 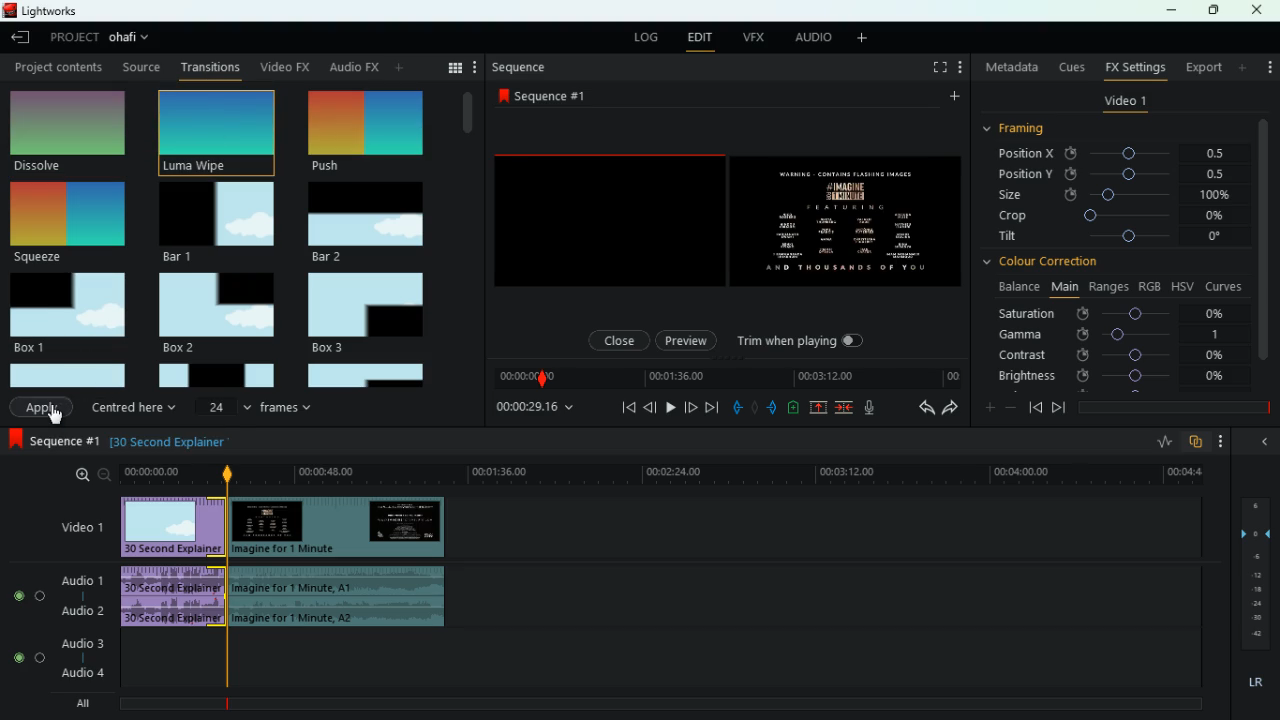 I want to click on plus, so click(x=987, y=409).